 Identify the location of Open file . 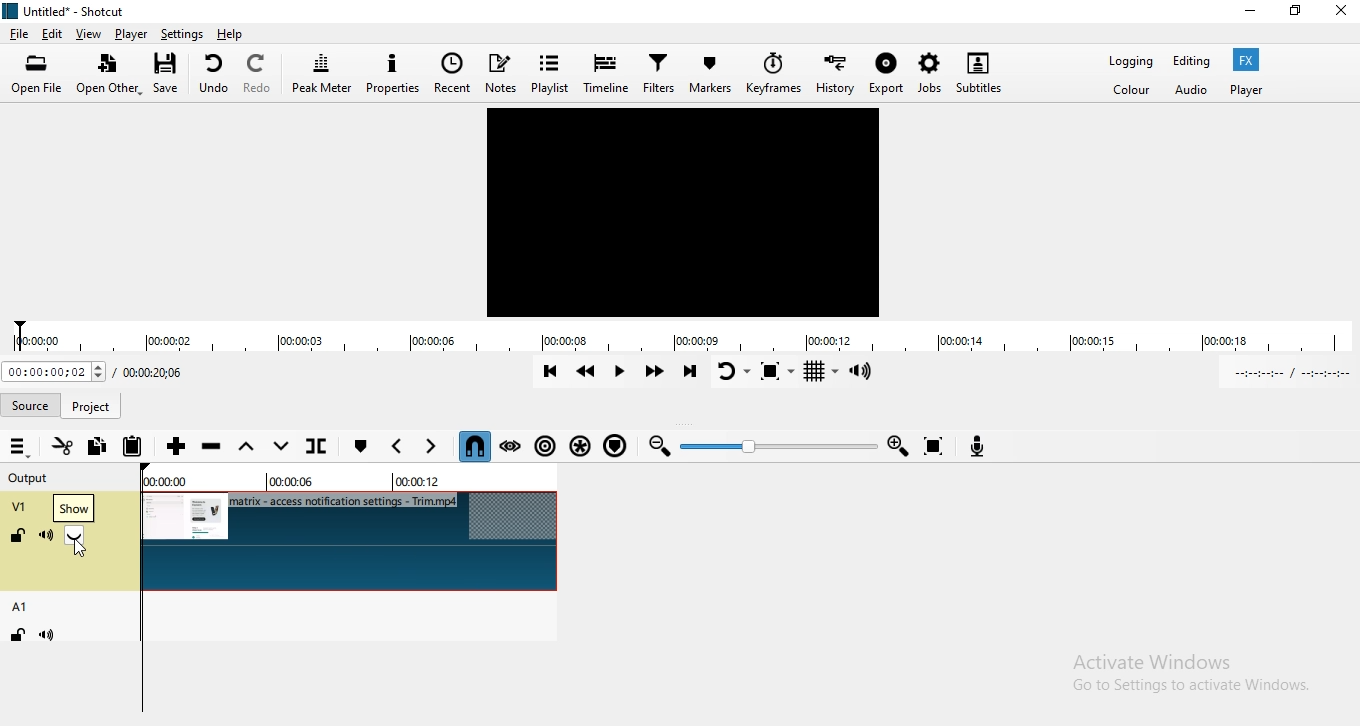
(38, 73).